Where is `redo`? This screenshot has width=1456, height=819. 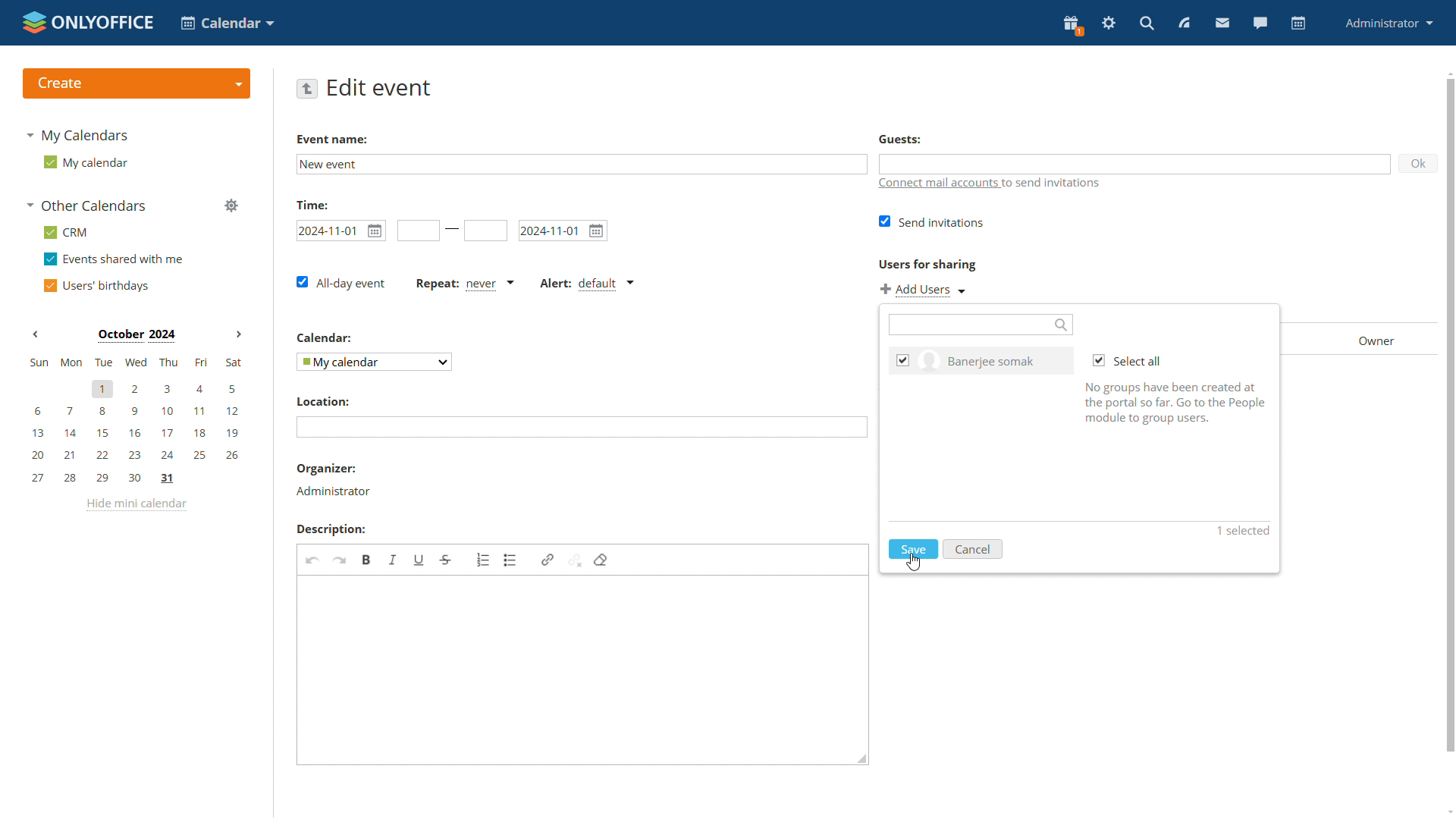
redo is located at coordinates (339, 560).